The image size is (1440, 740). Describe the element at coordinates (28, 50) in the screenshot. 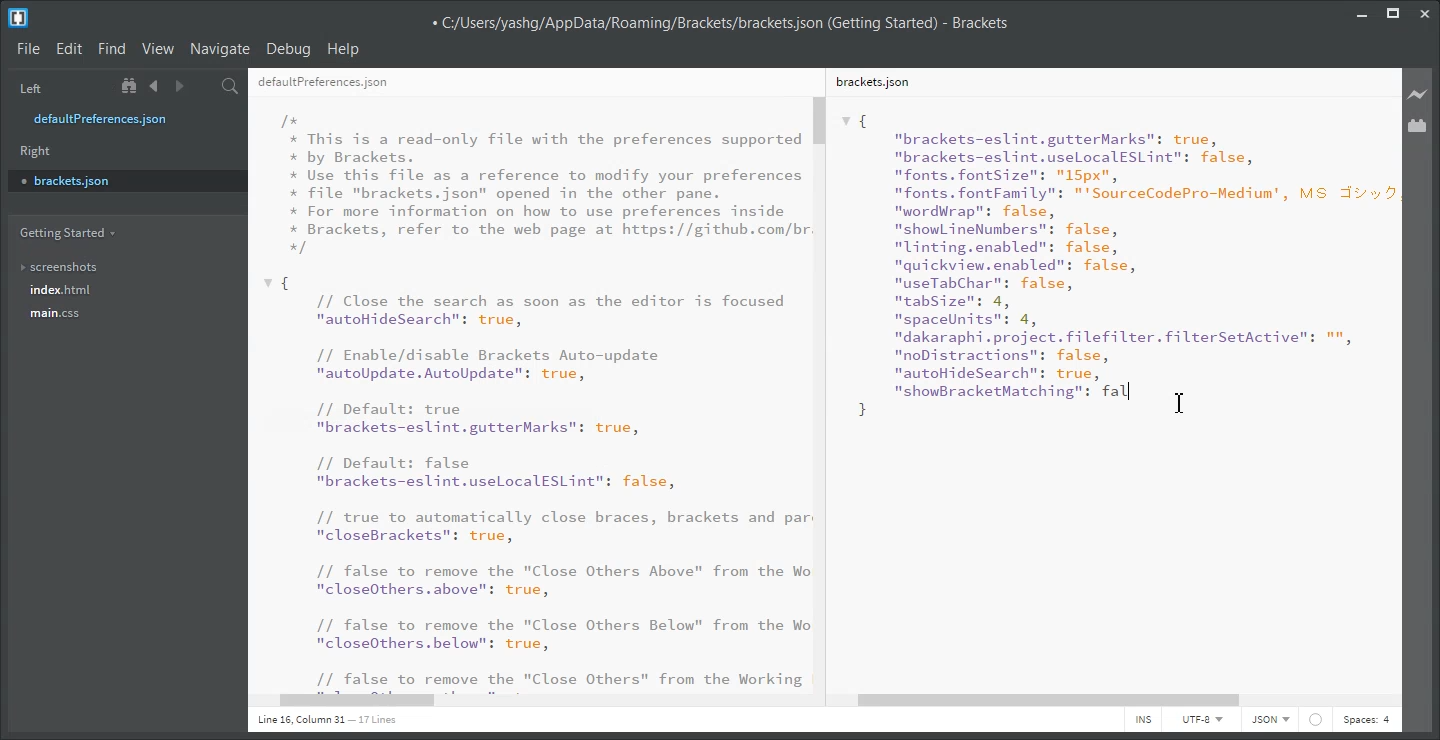

I see `File` at that location.